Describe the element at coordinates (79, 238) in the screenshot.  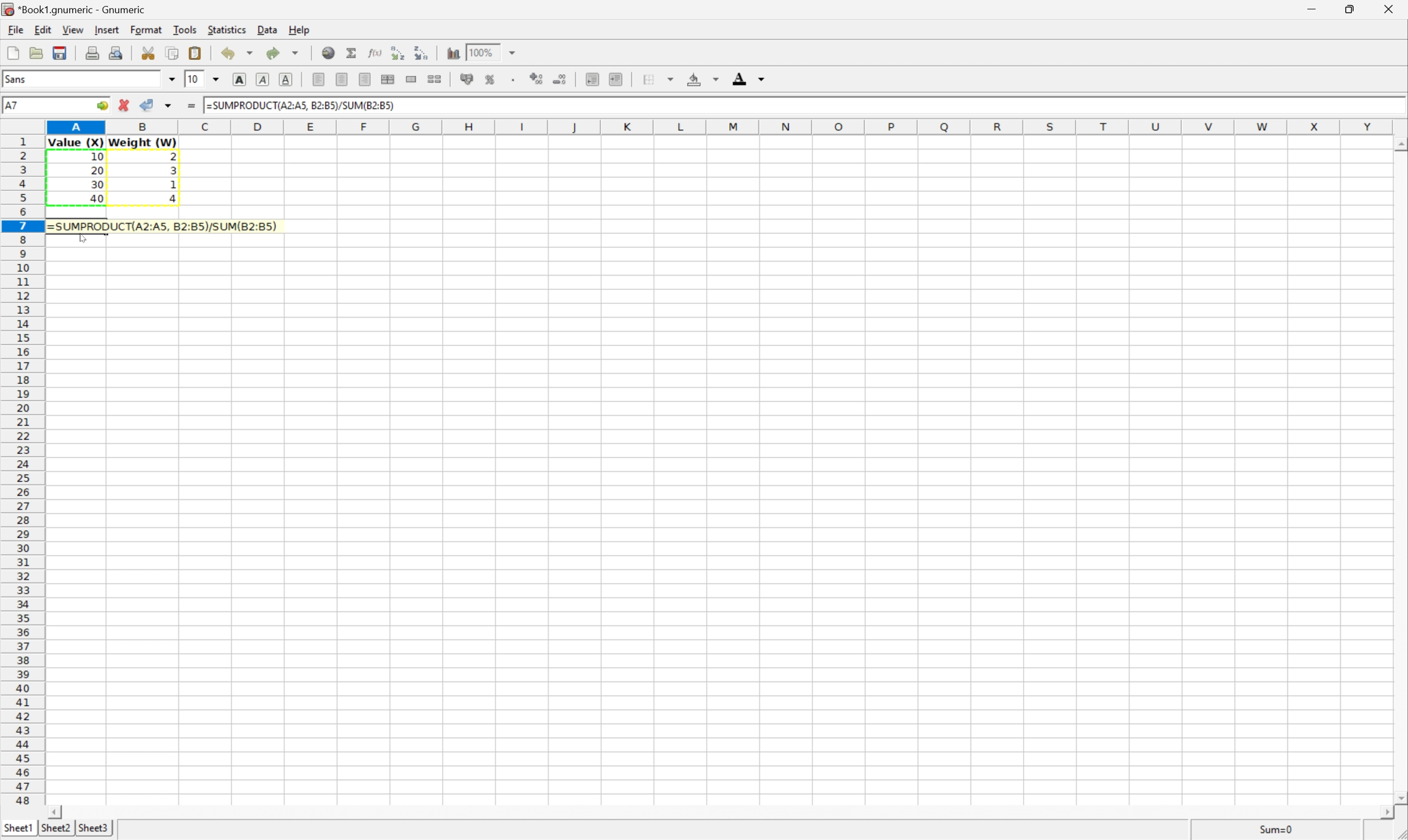
I see `Cursor` at that location.